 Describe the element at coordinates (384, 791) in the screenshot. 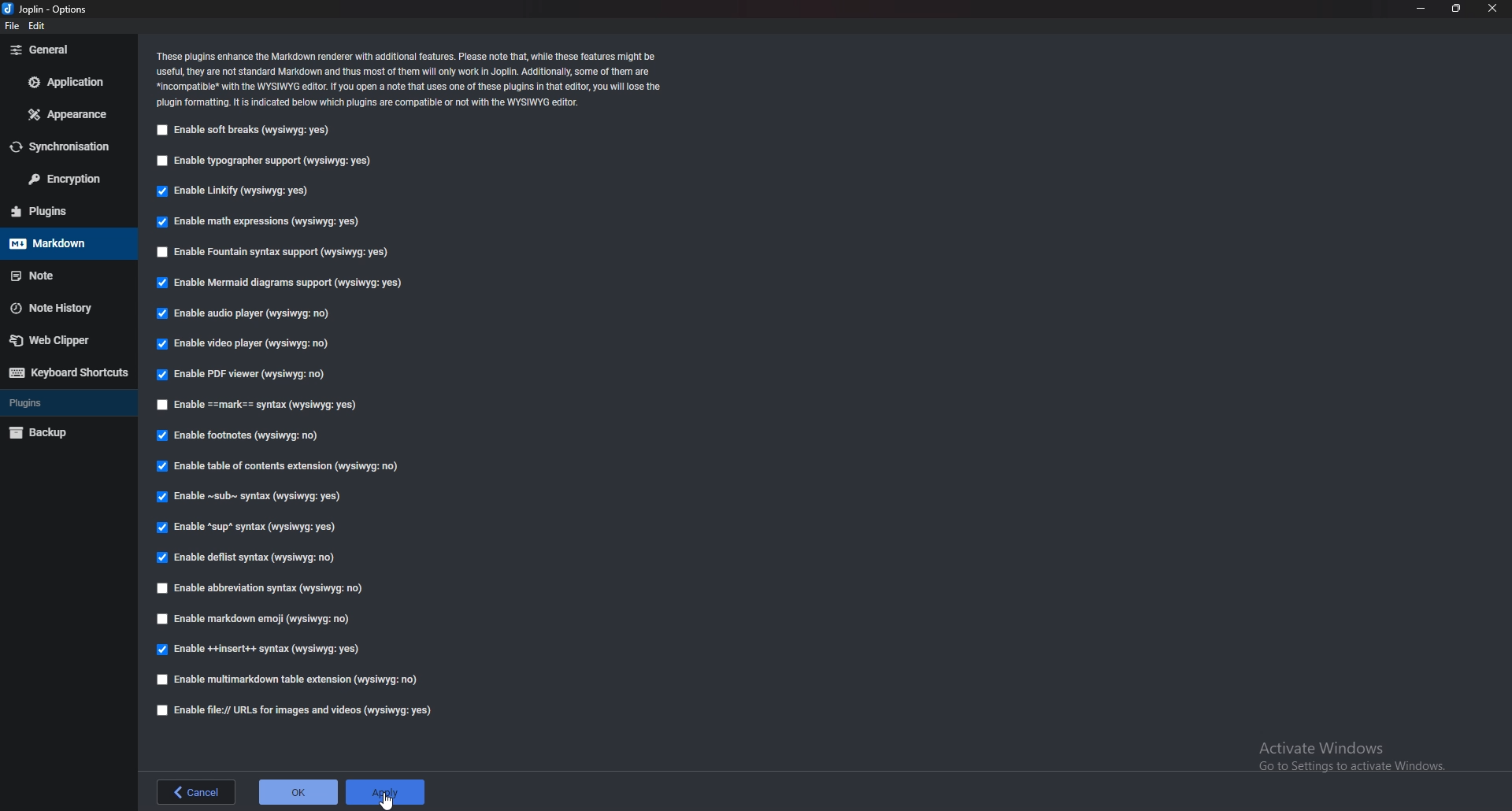

I see `Apply` at that location.